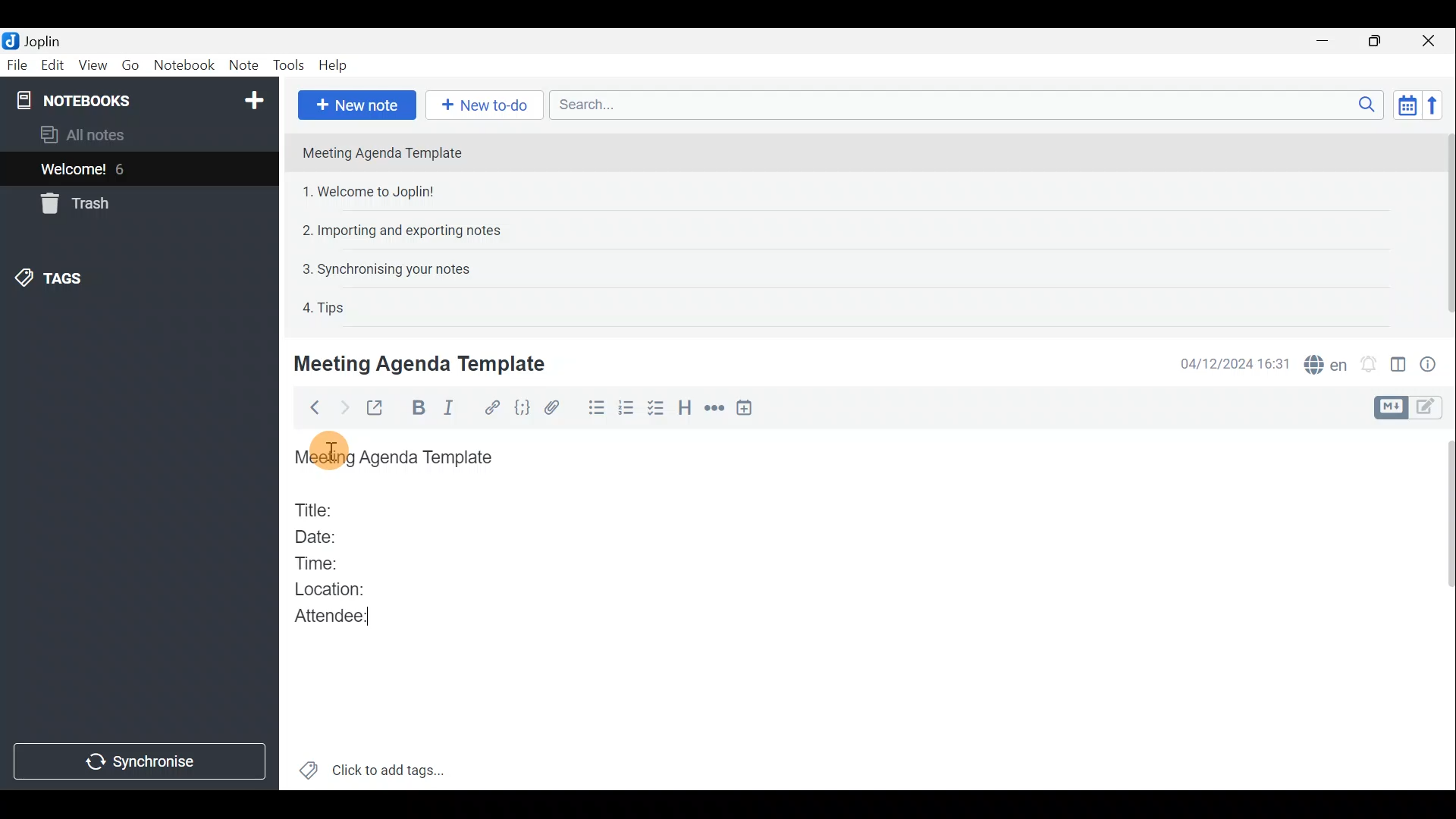  What do you see at coordinates (336, 65) in the screenshot?
I see `Help` at bounding box center [336, 65].